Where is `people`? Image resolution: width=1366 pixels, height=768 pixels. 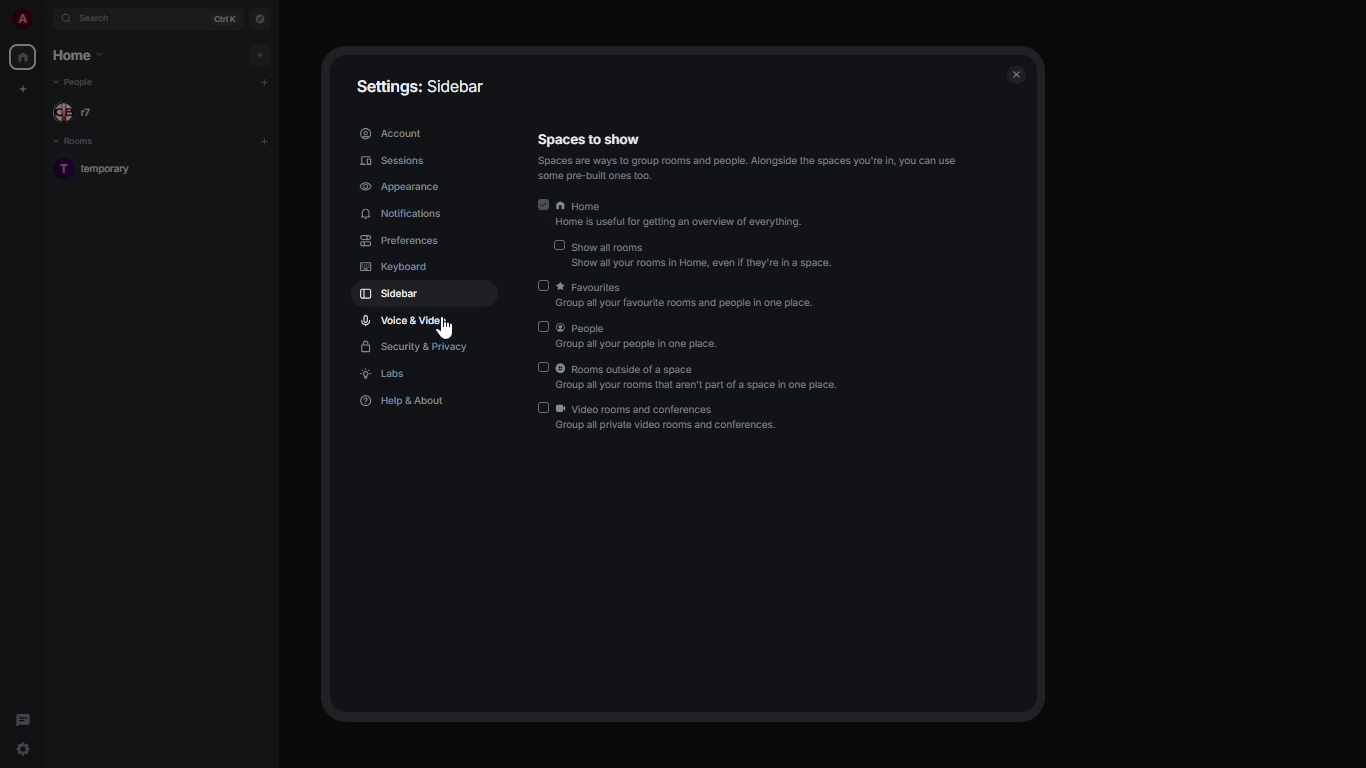 people is located at coordinates (77, 84).